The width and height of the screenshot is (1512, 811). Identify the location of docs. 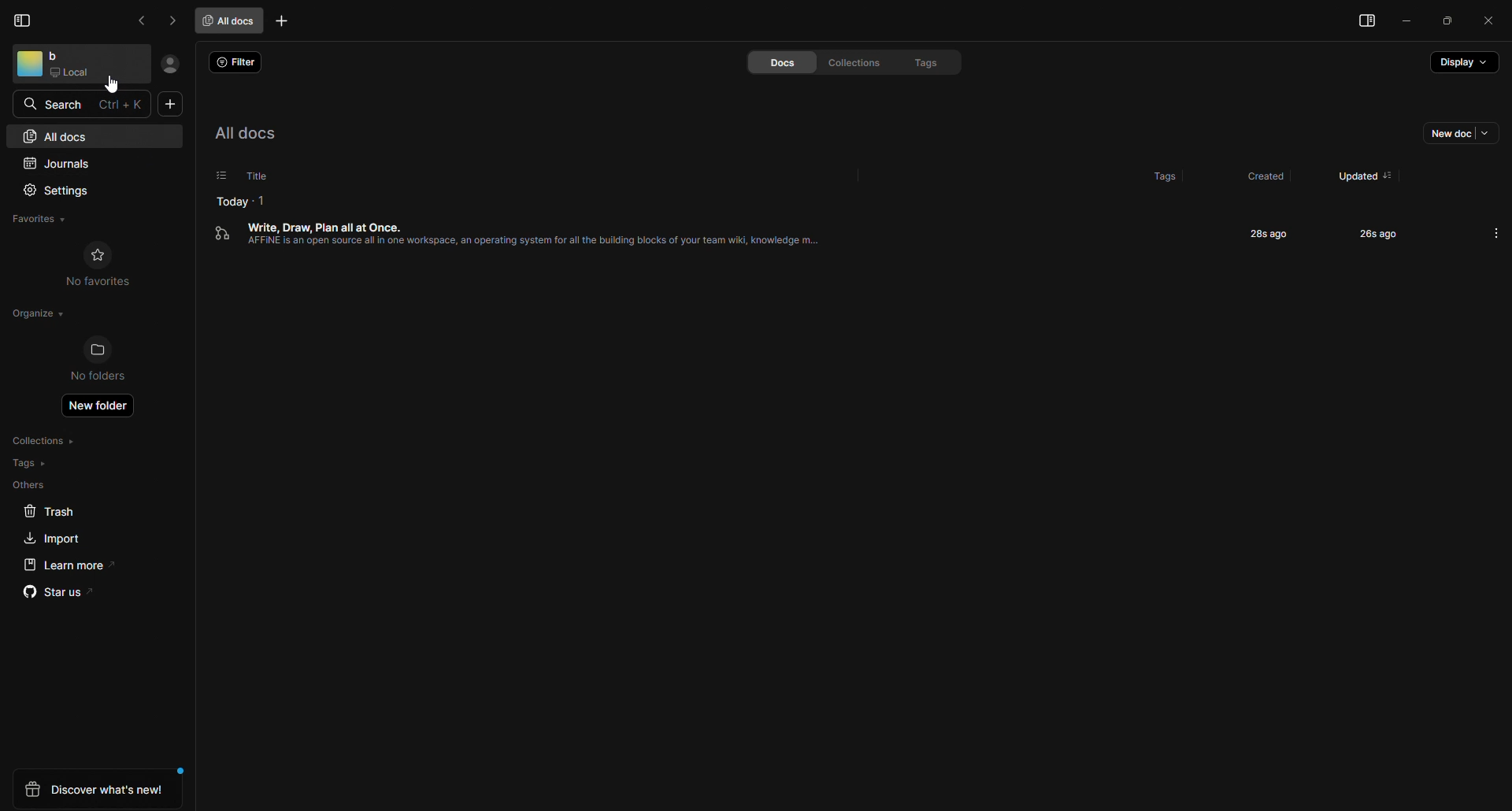
(768, 63).